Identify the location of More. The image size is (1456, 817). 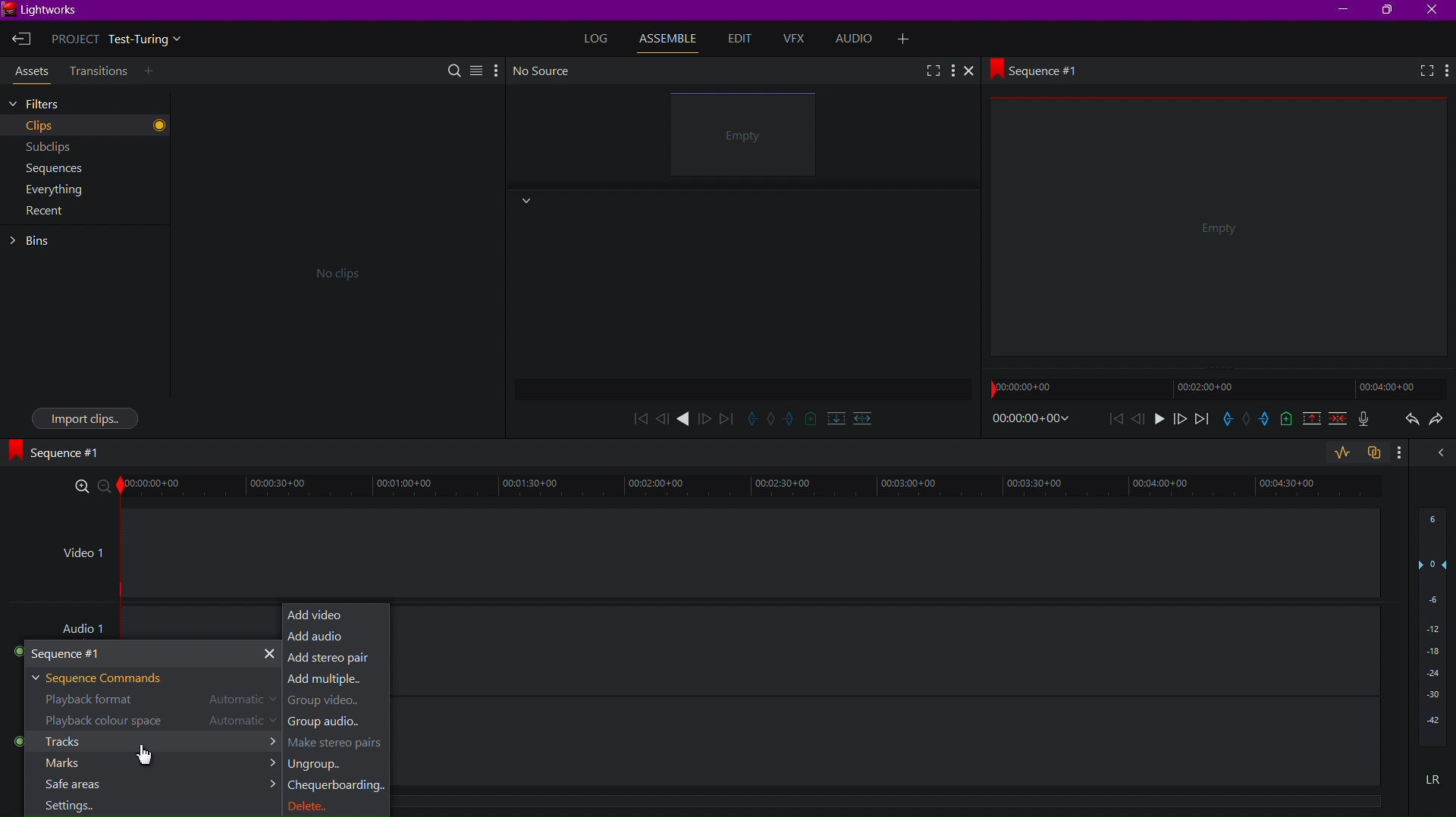
(495, 69).